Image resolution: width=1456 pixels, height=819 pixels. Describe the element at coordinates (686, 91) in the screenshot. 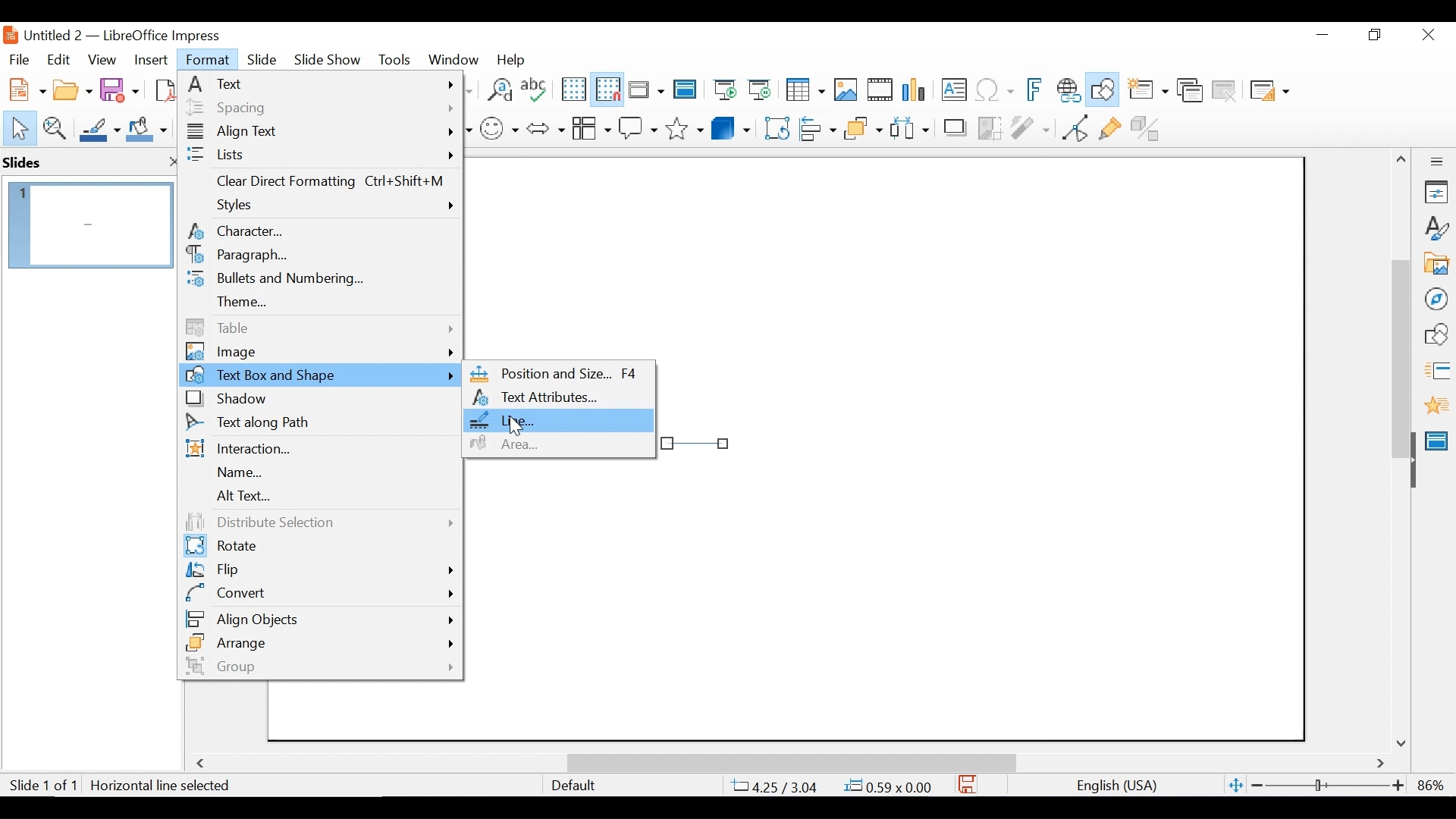

I see `Master Slides` at that location.